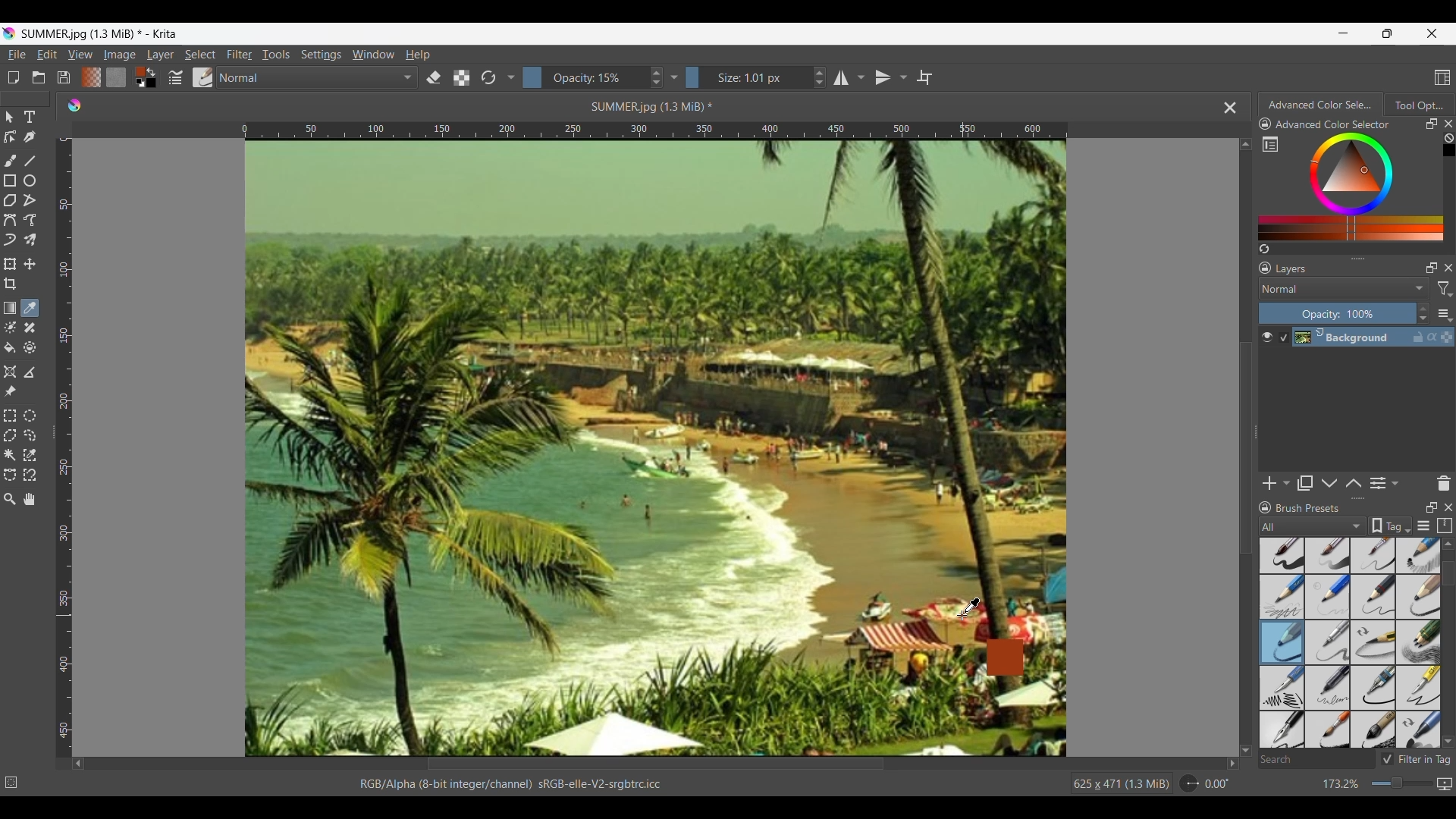 Image resolution: width=1456 pixels, height=819 pixels. I want to click on Quick slide to top, so click(1245, 144).